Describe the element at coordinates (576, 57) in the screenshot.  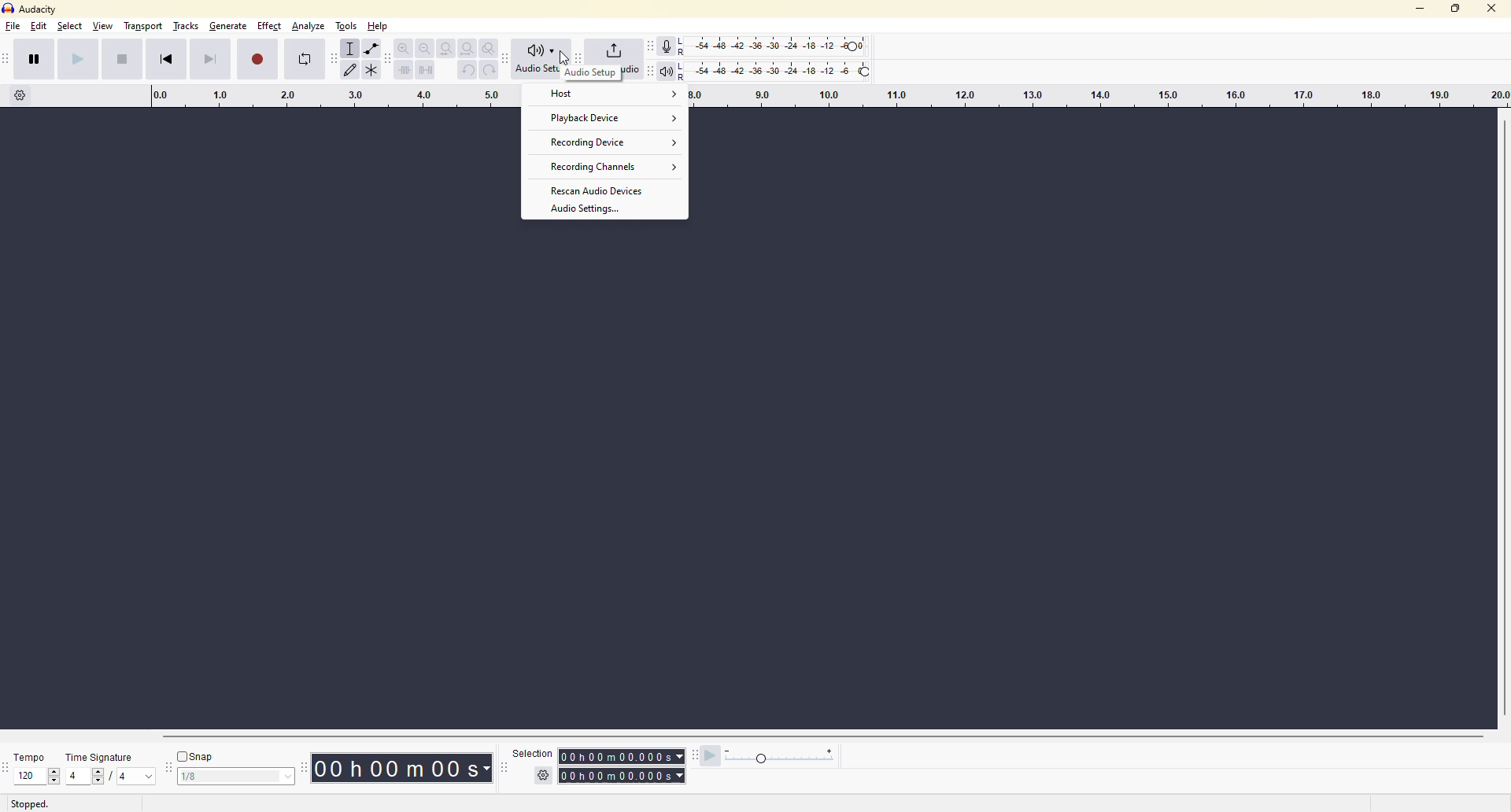
I see `audacity share audio toolbar` at that location.